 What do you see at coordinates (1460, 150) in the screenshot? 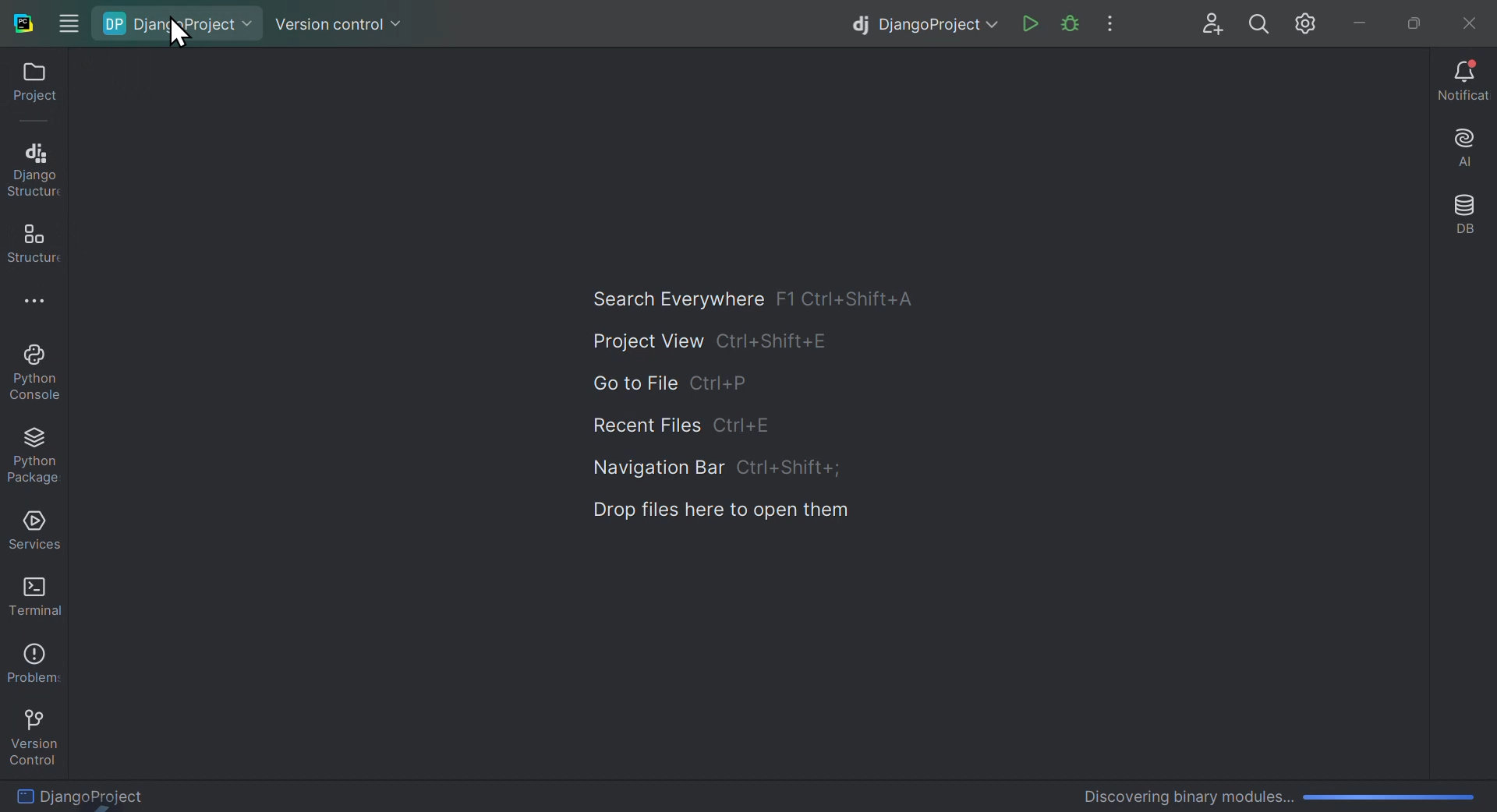
I see `AI assistant` at bounding box center [1460, 150].